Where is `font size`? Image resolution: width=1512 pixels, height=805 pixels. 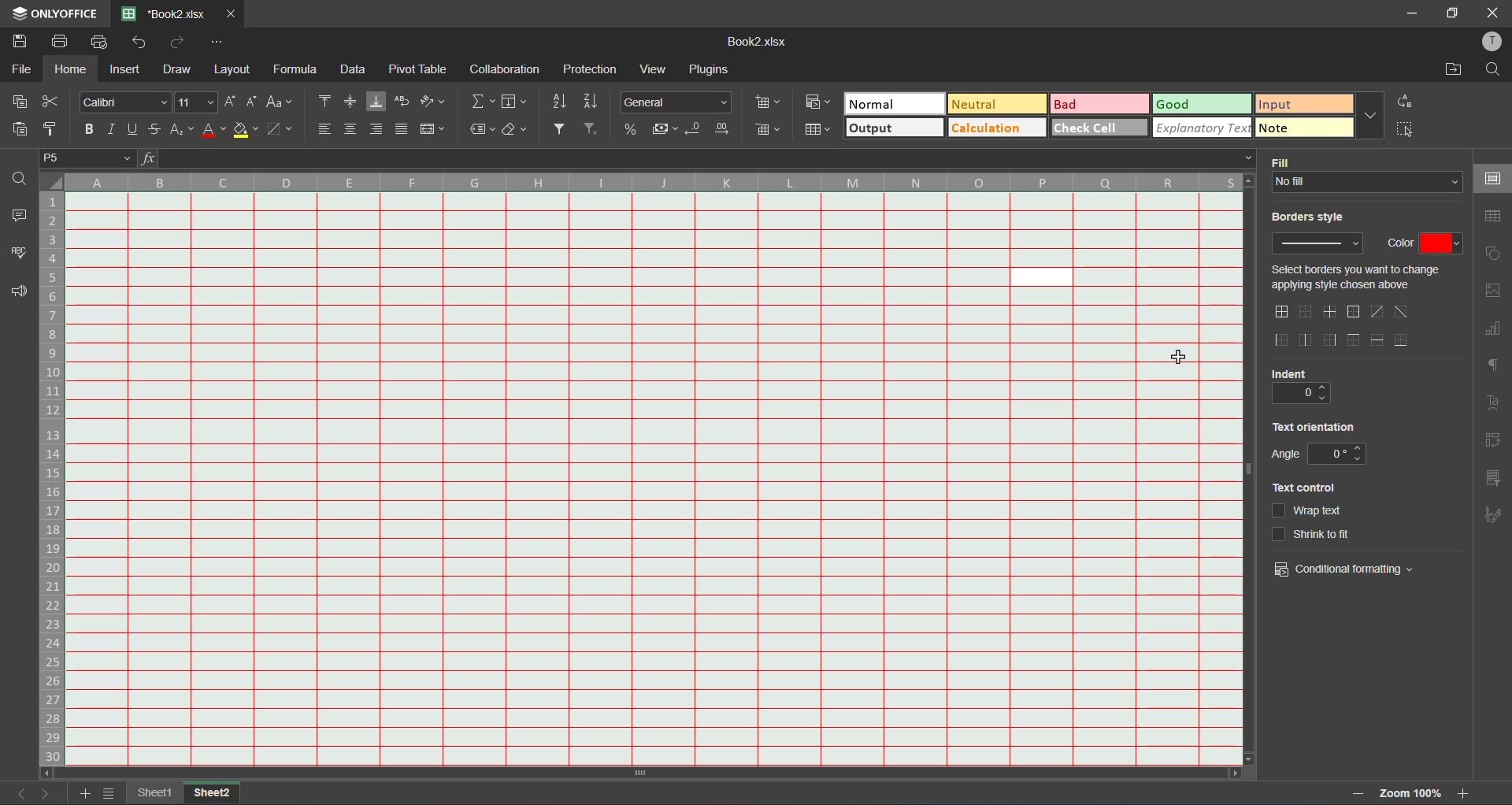 font size is located at coordinates (198, 102).